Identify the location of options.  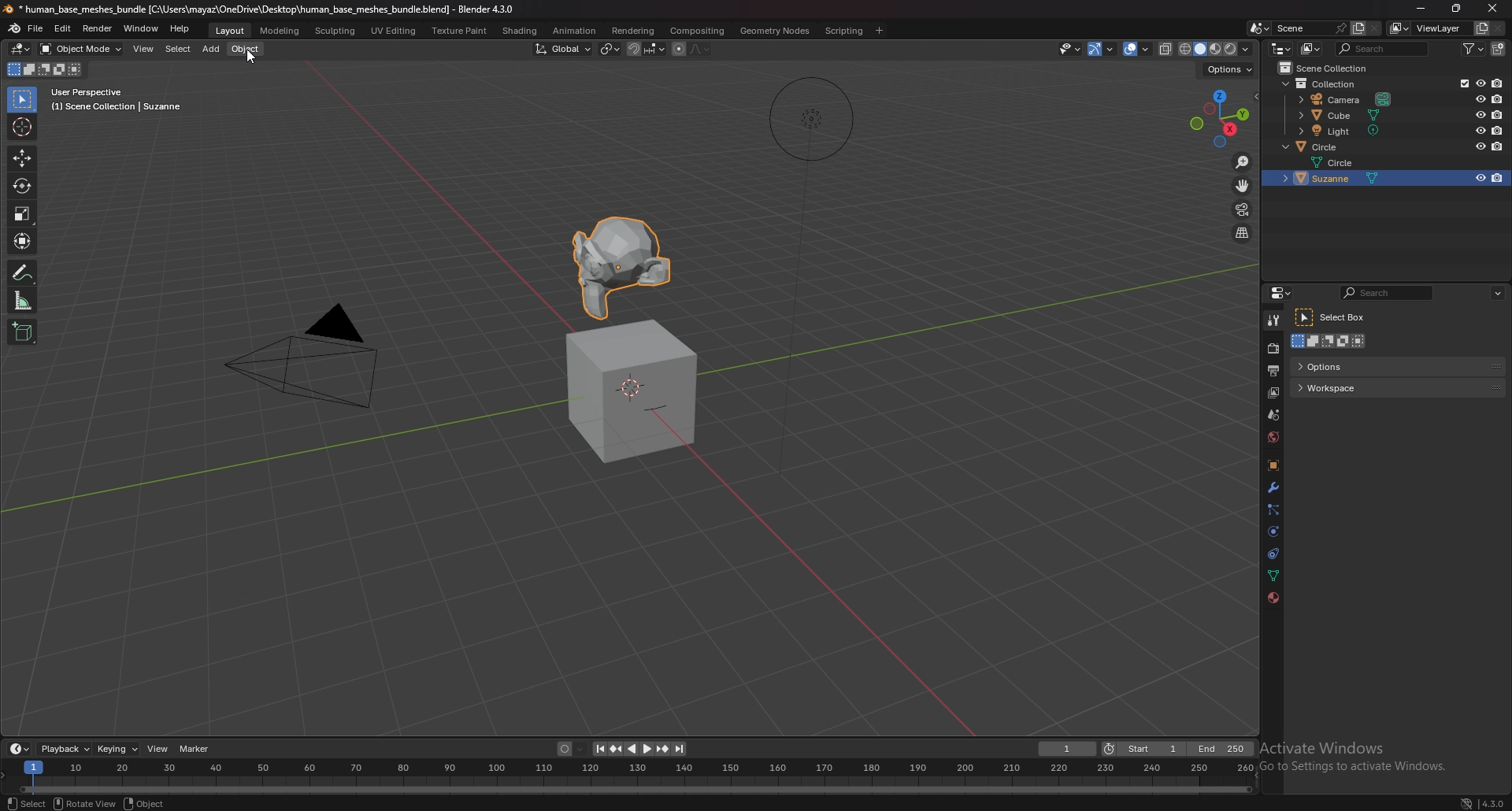
(1230, 69).